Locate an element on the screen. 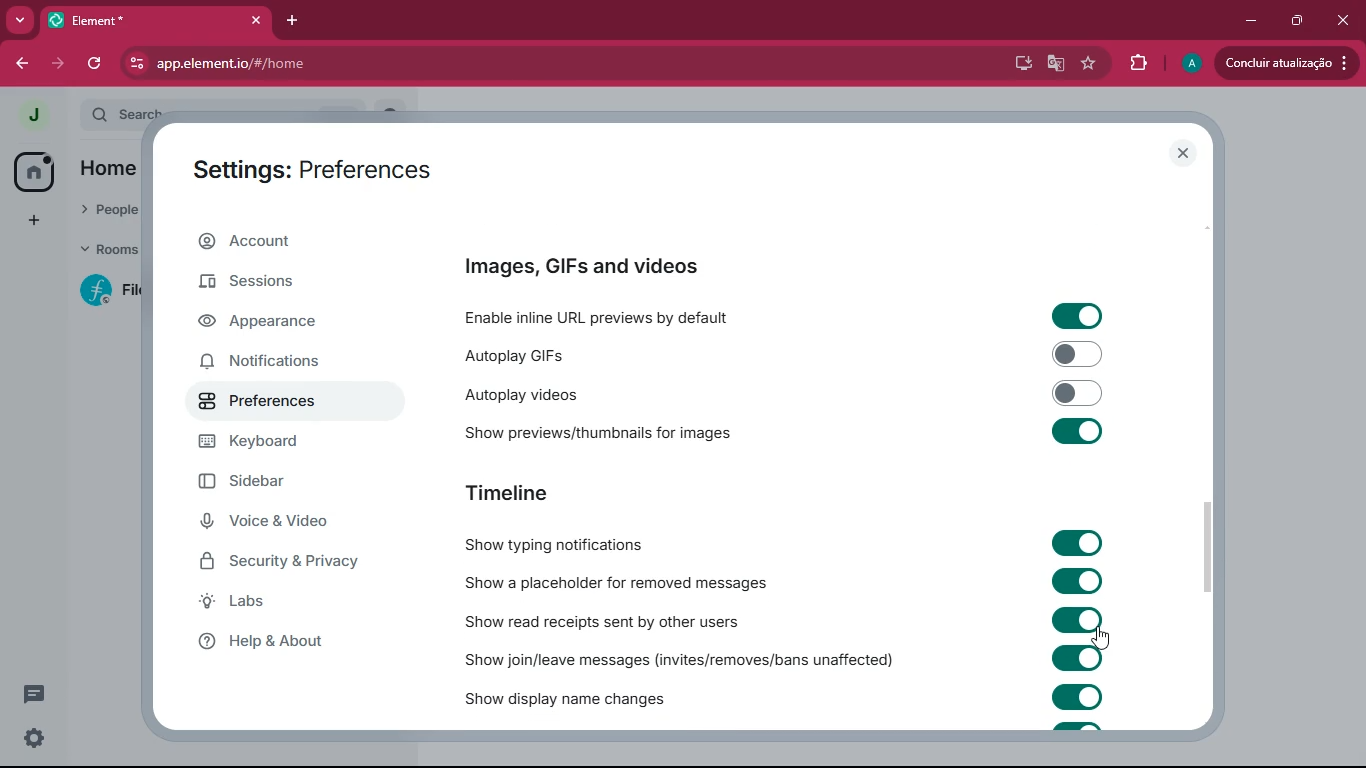 The height and width of the screenshot is (768, 1366). toggle on/off is located at coordinates (1077, 431).